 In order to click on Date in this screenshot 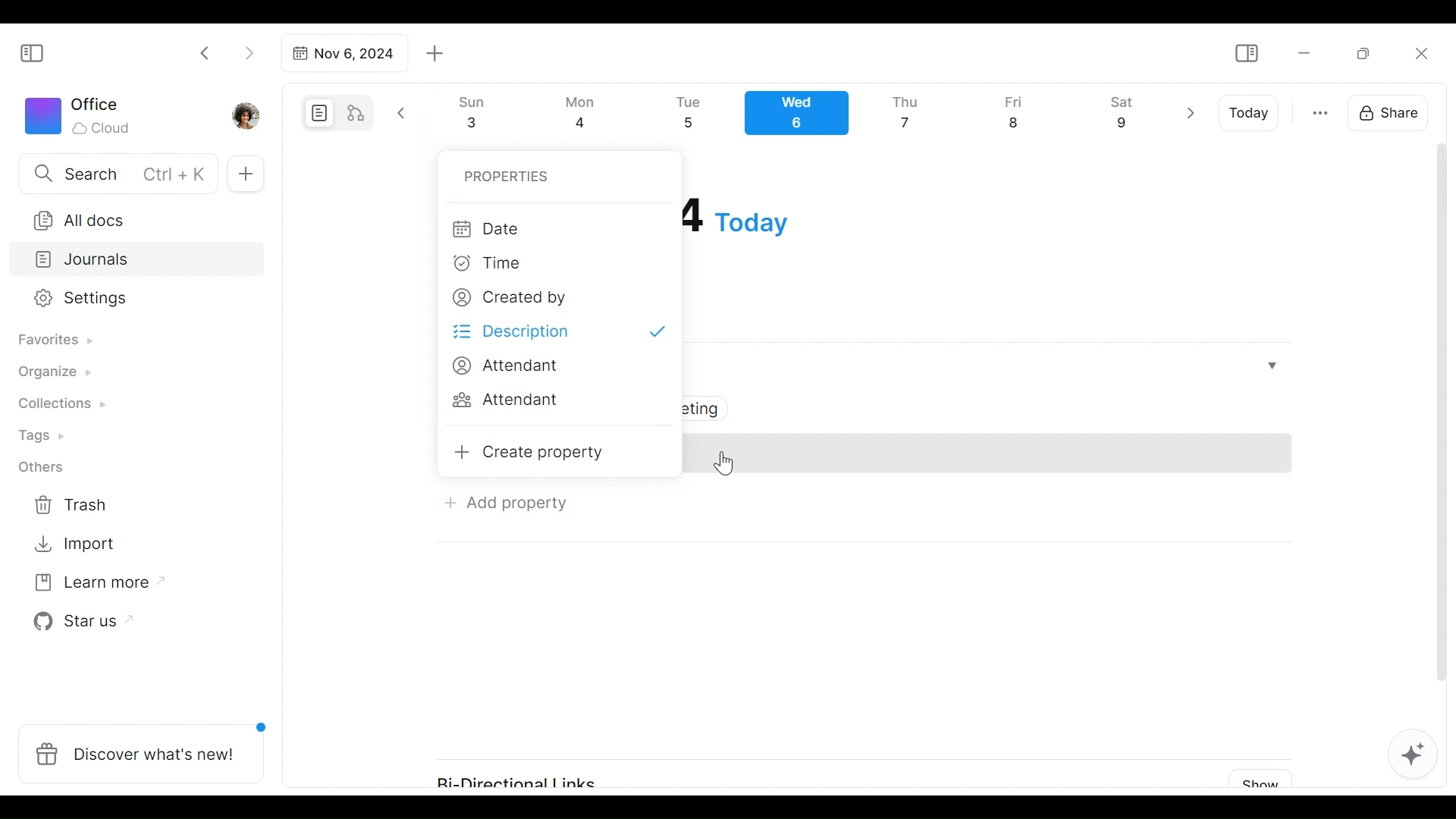, I will do `click(494, 226)`.